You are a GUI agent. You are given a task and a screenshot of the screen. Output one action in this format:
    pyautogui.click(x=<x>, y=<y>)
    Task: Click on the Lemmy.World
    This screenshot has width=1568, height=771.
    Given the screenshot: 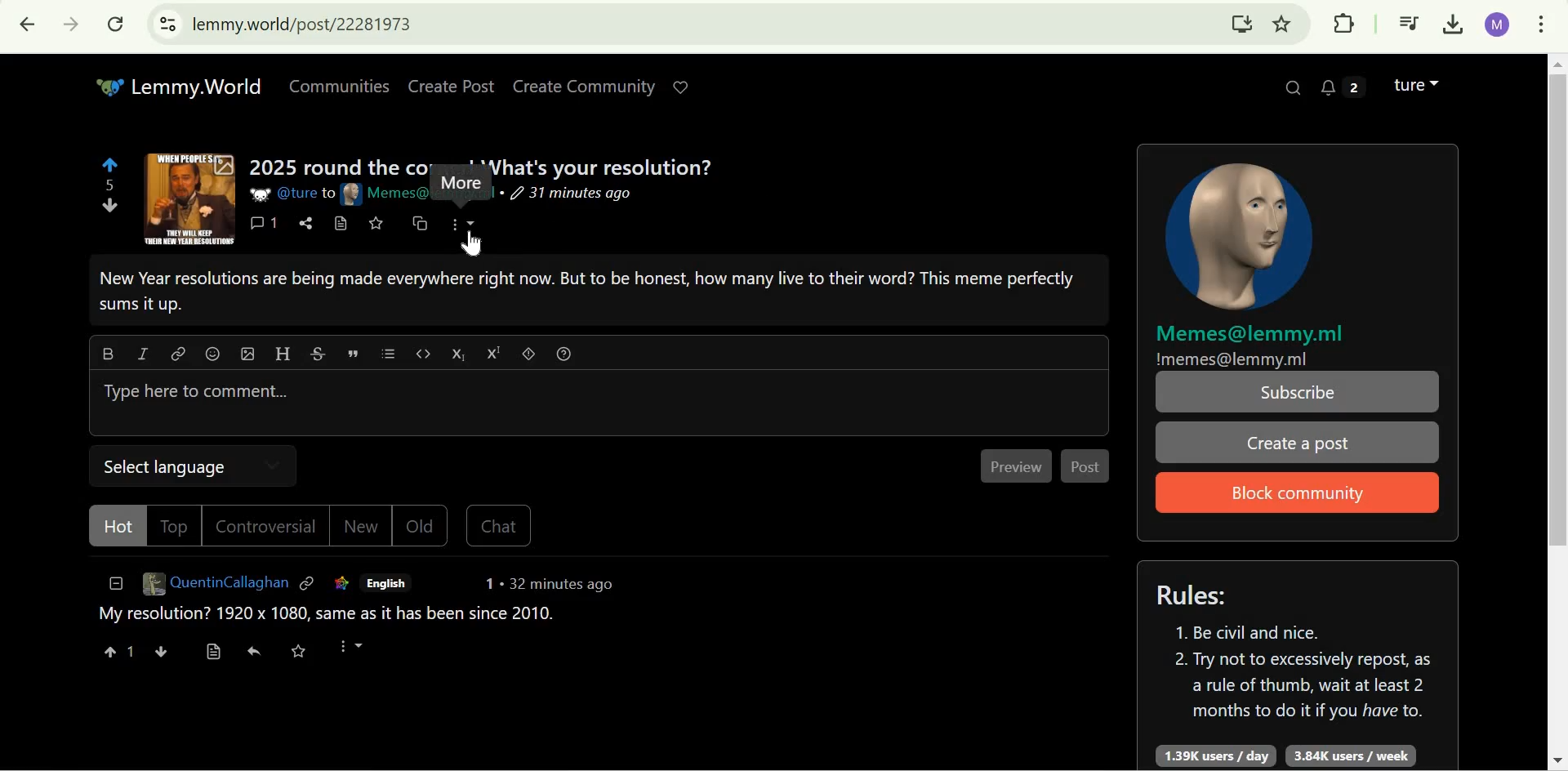 What is the action you would take?
    pyautogui.click(x=196, y=87)
    